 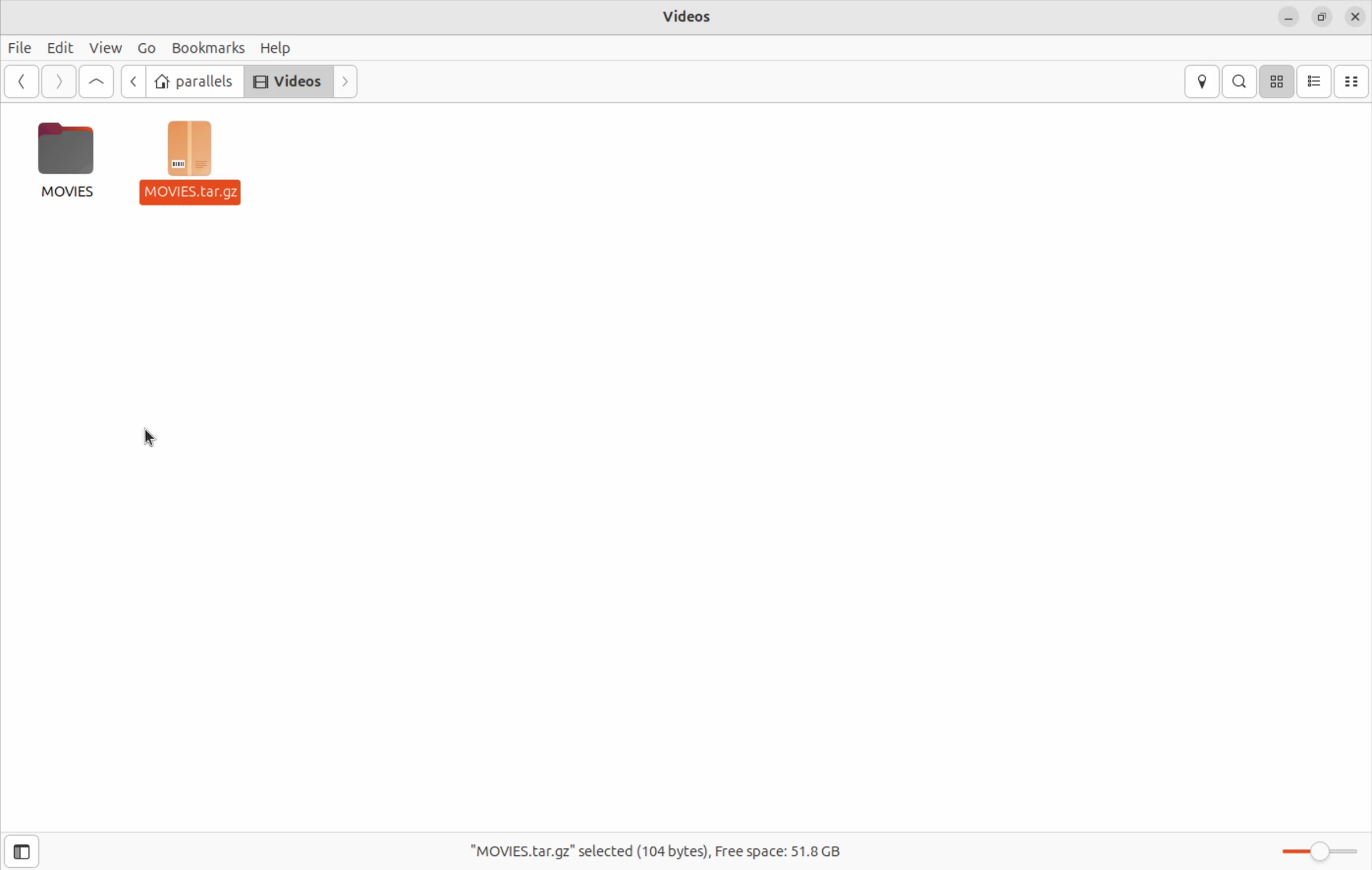 What do you see at coordinates (193, 164) in the screenshot?
I see `zip file` at bounding box center [193, 164].